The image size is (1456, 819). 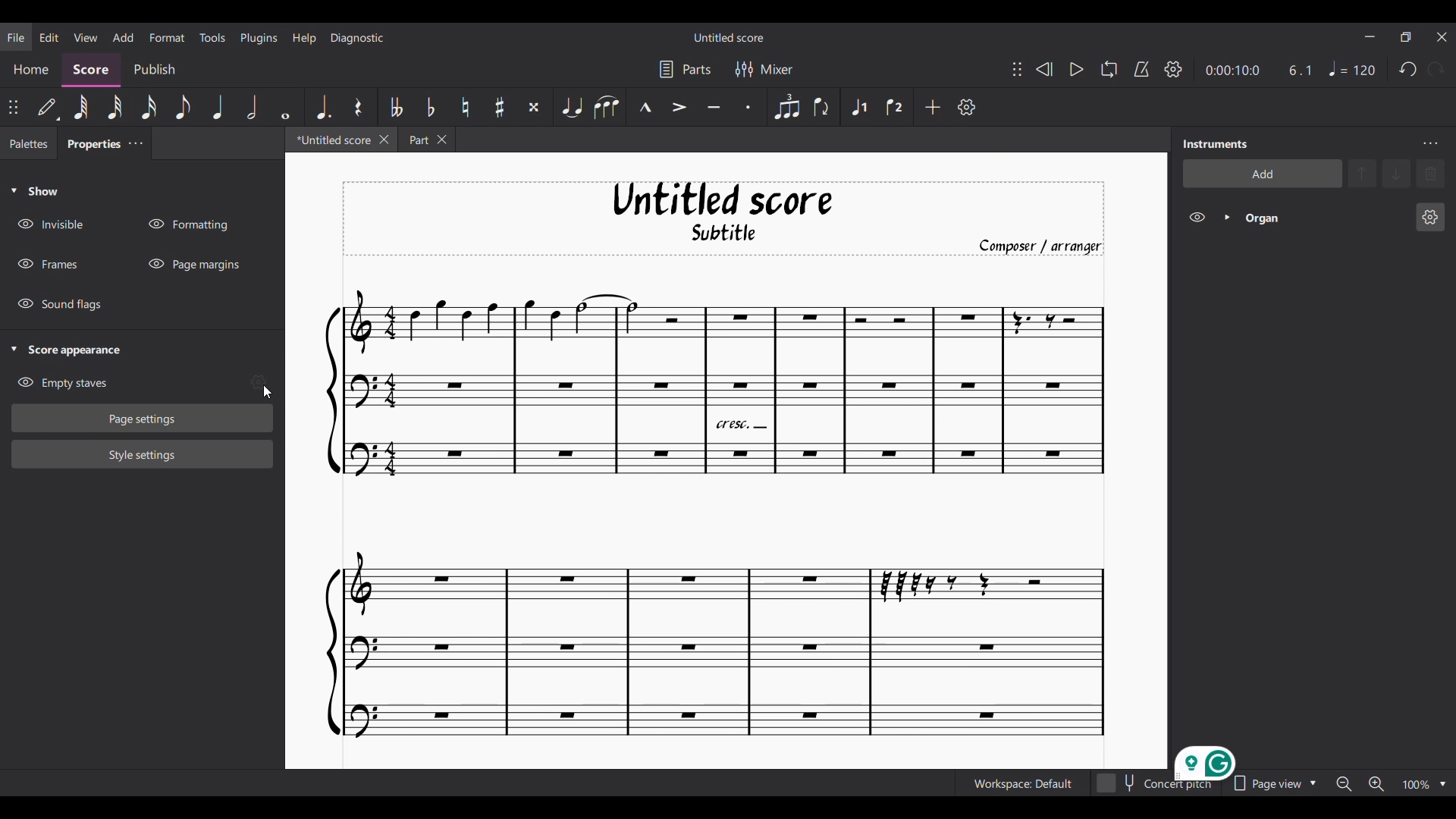 What do you see at coordinates (1216, 144) in the screenshot?
I see `Panel title` at bounding box center [1216, 144].